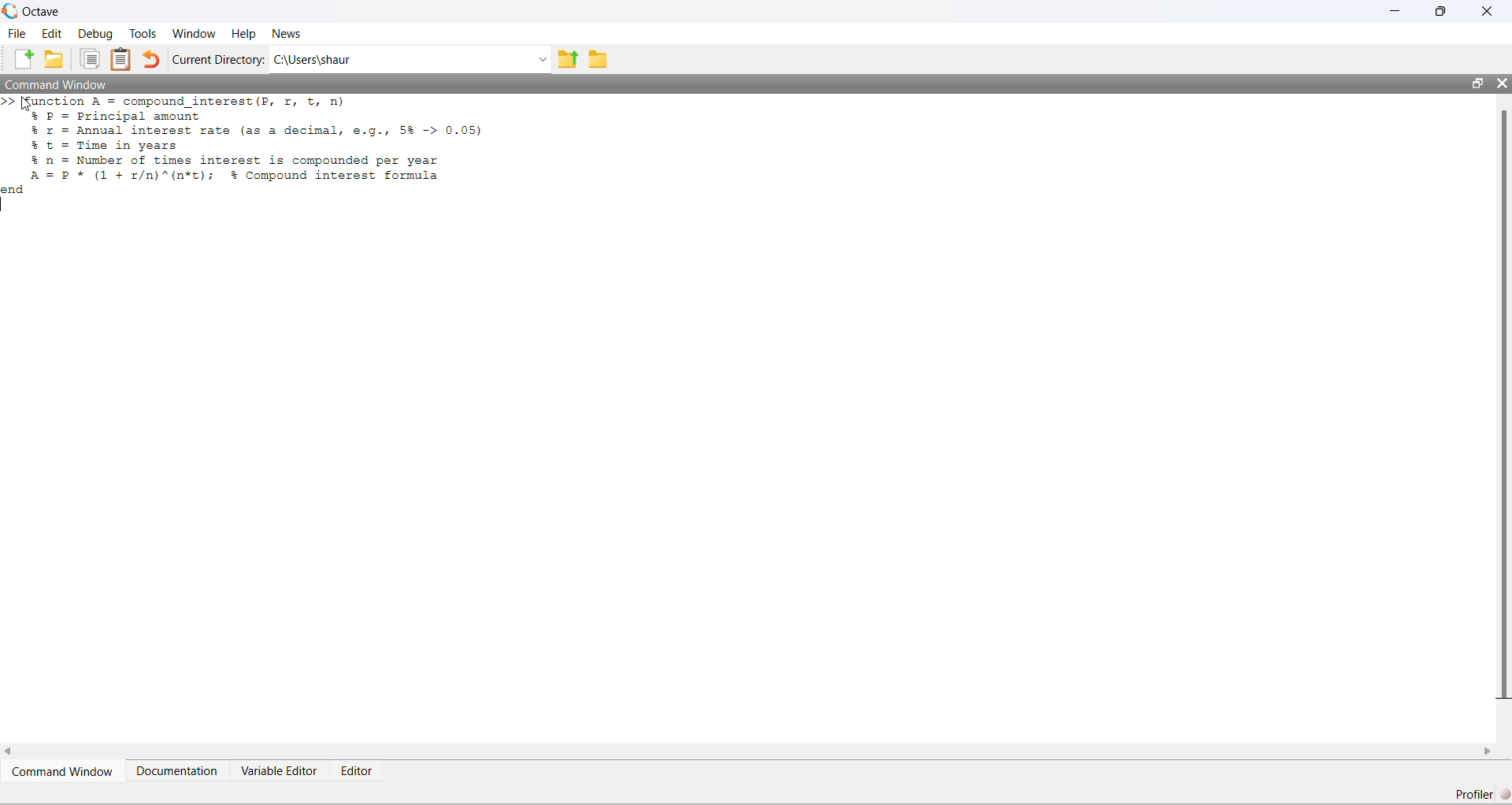 The image size is (1512, 805). I want to click on Duplicate, so click(91, 60).